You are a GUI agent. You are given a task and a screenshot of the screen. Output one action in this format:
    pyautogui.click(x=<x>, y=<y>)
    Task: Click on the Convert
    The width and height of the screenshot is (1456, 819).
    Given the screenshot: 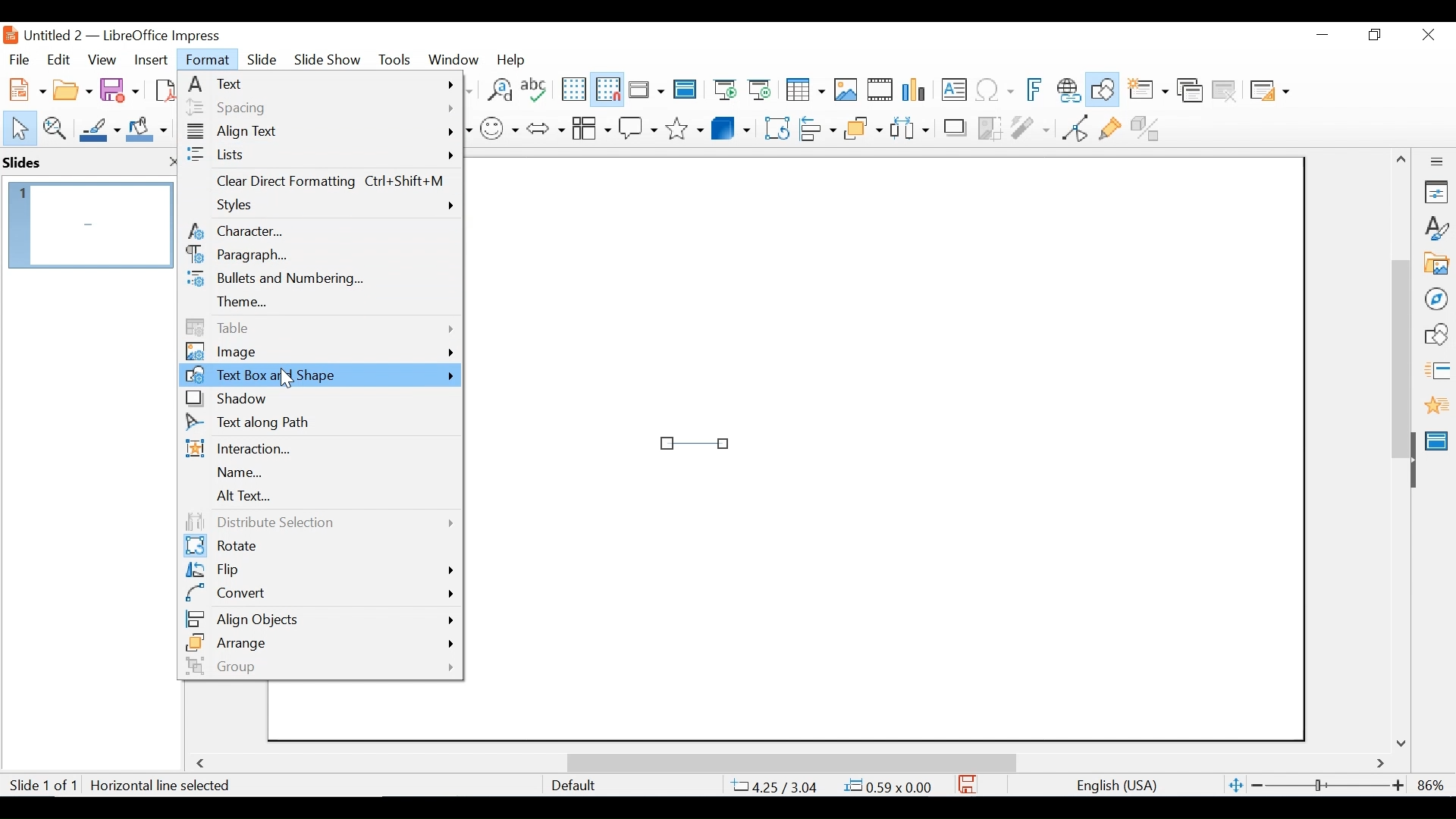 What is the action you would take?
    pyautogui.click(x=319, y=593)
    